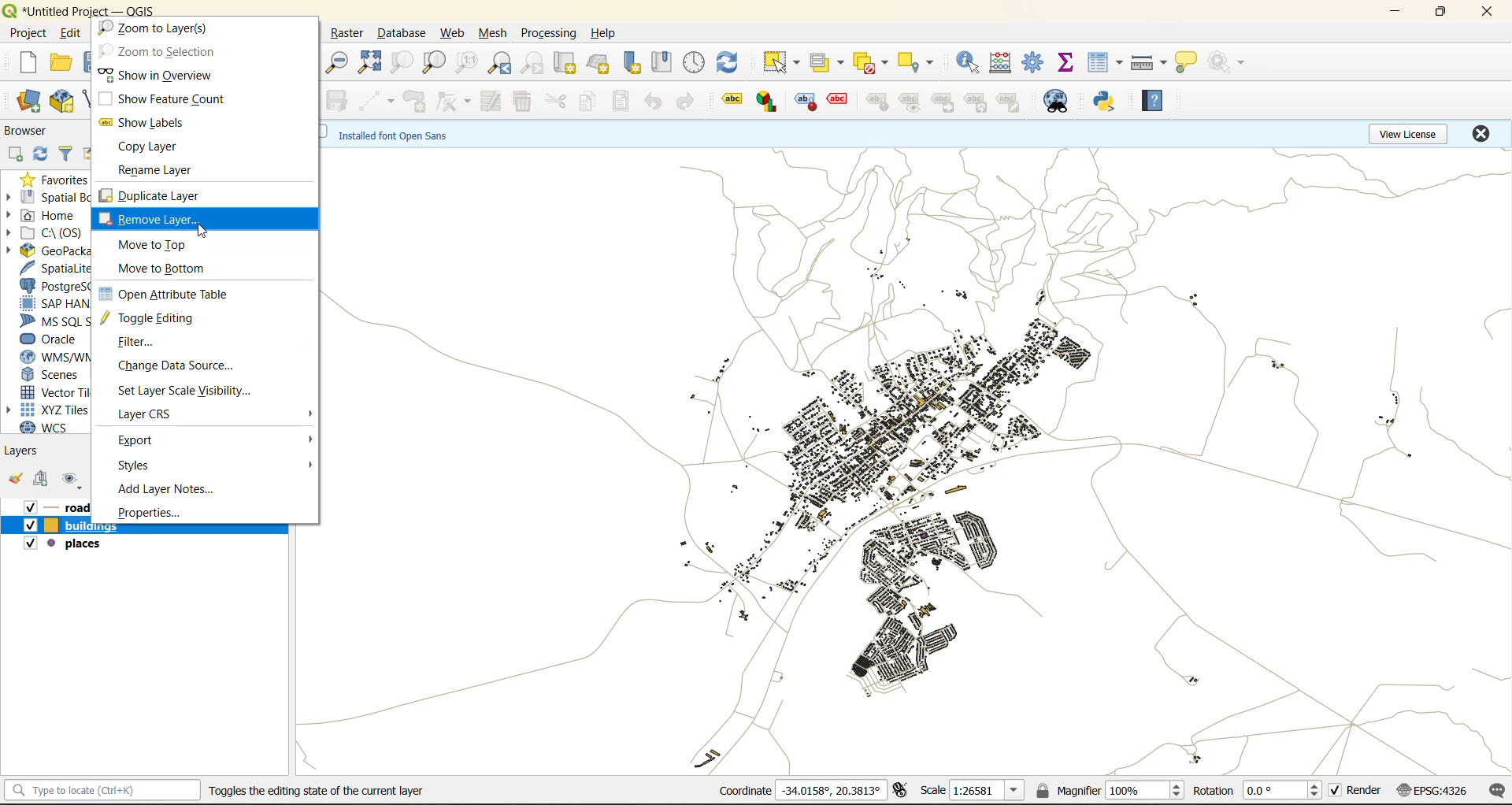  What do you see at coordinates (1494, 789) in the screenshot?
I see `log messages` at bounding box center [1494, 789].